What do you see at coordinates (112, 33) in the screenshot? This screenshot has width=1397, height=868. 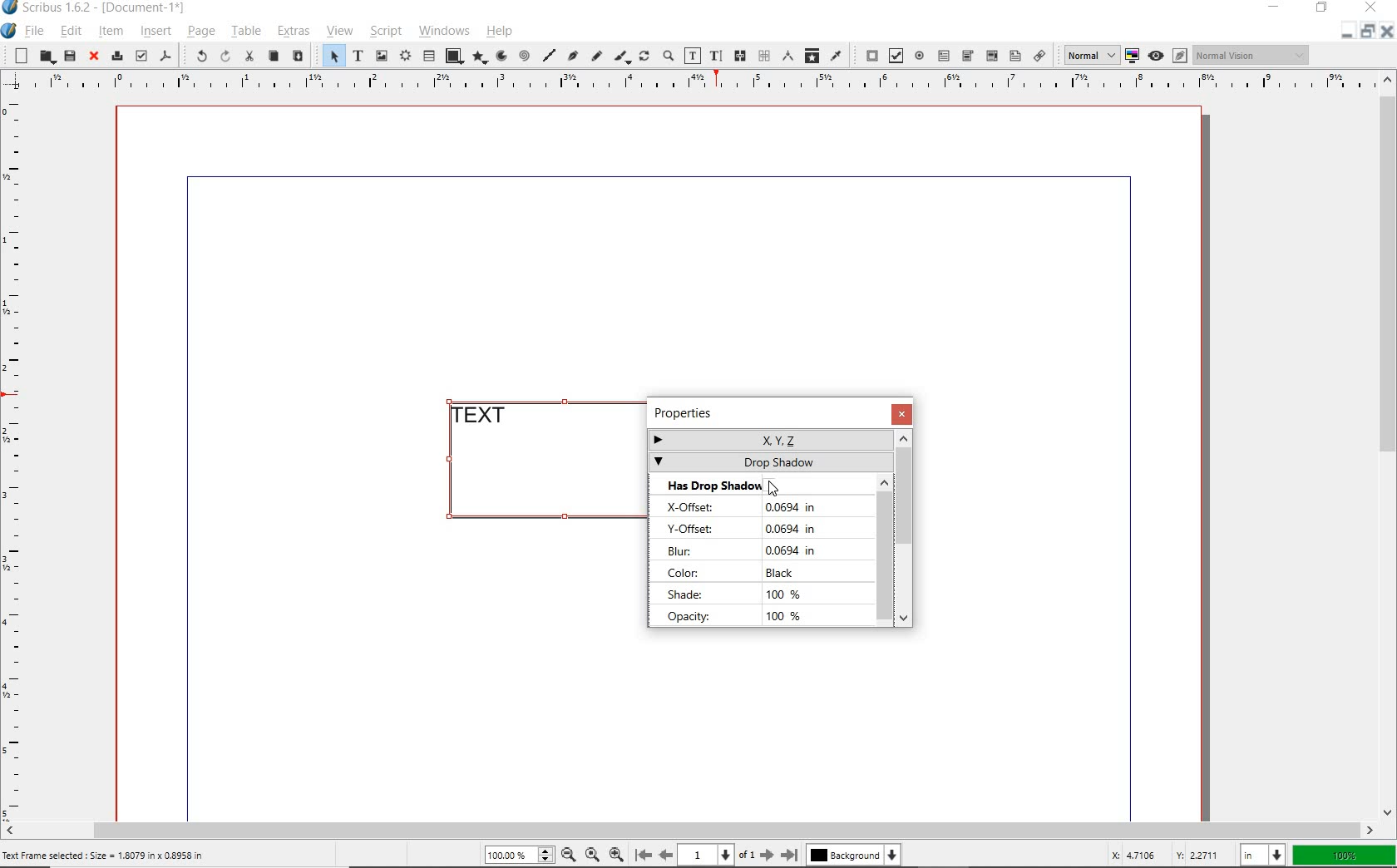 I see `item` at bounding box center [112, 33].